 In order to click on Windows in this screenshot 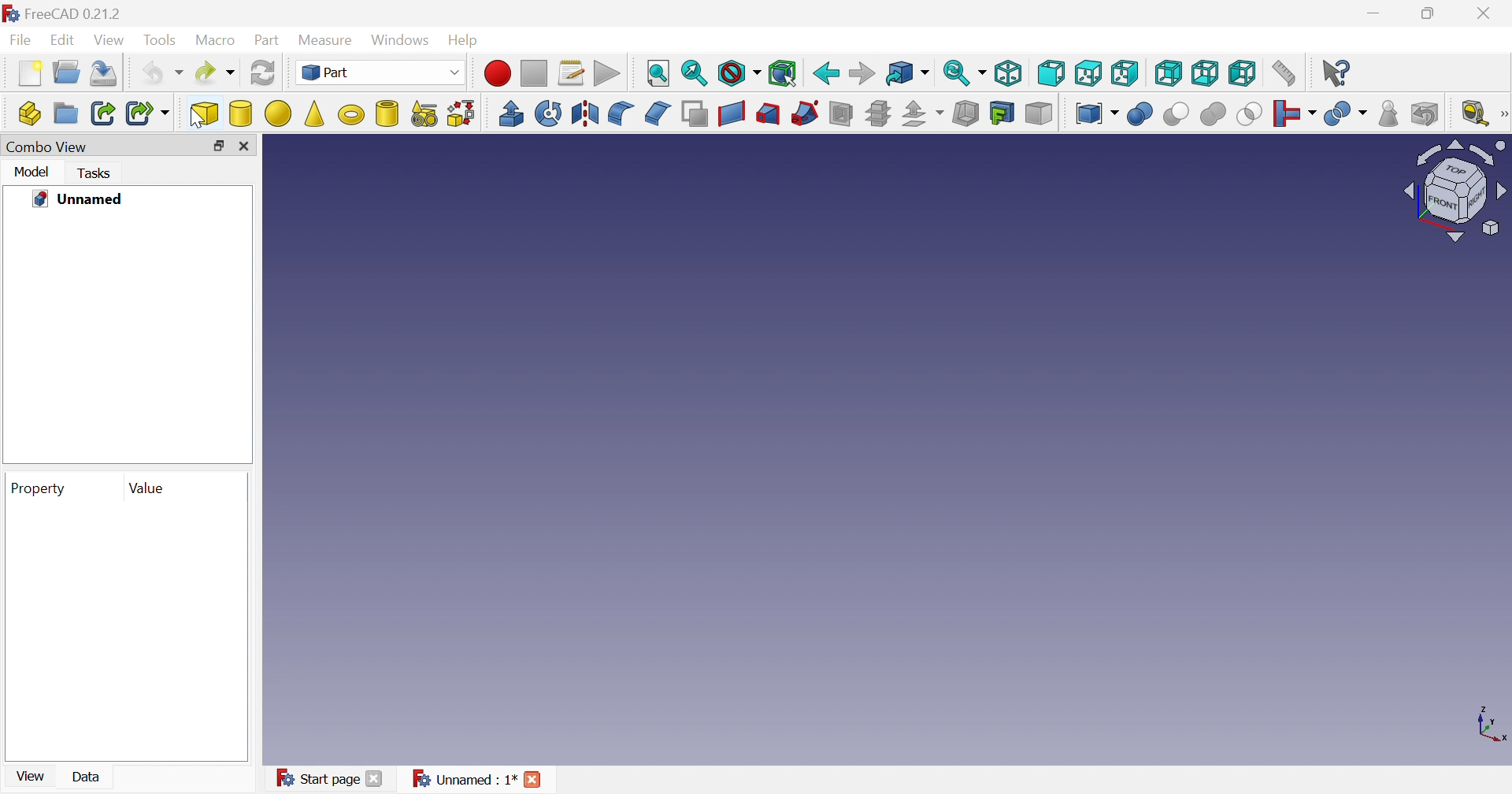, I will do `click(401, 42)`.